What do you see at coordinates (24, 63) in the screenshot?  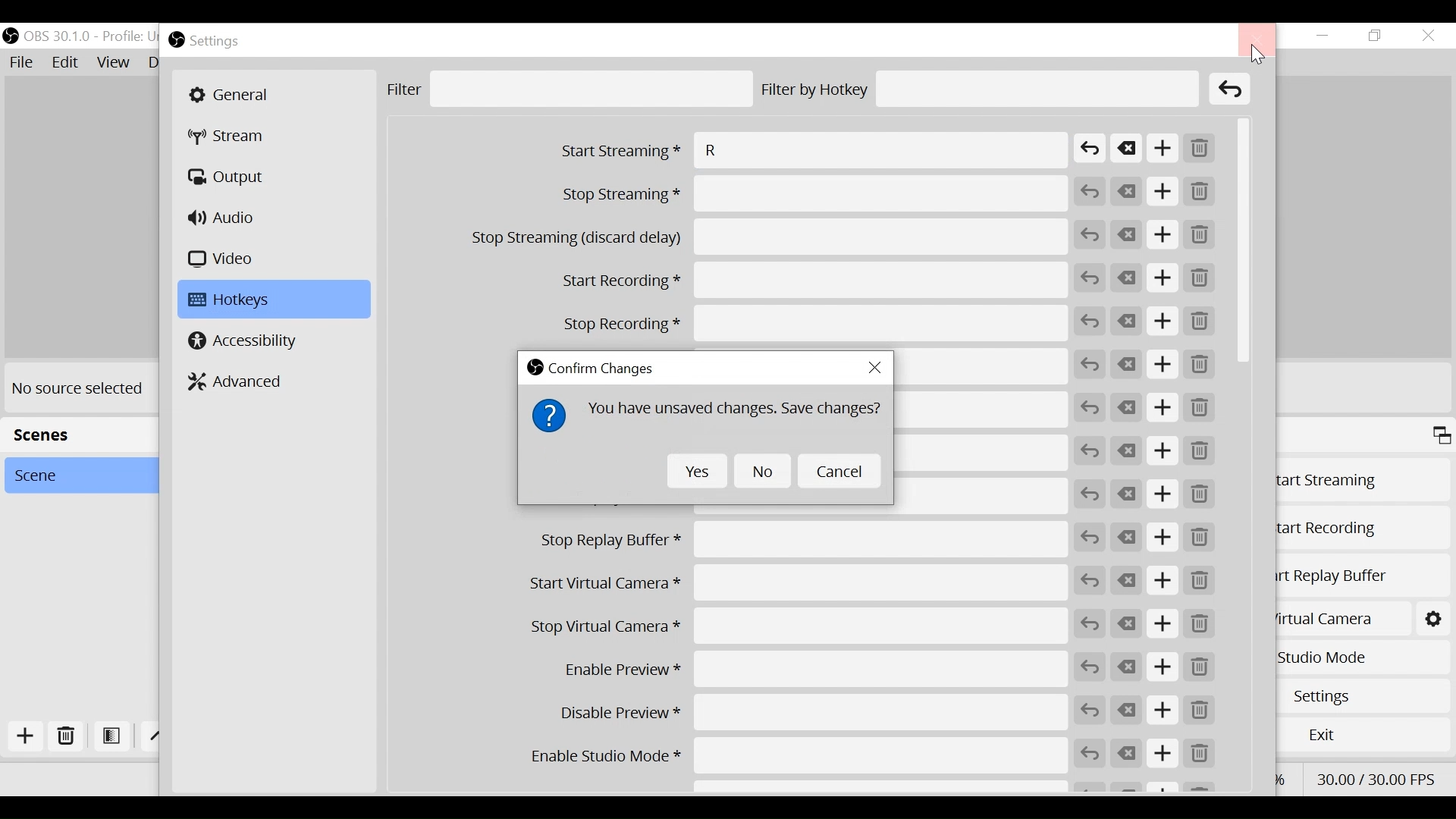 I see `File` at bounding box center [24, 63].